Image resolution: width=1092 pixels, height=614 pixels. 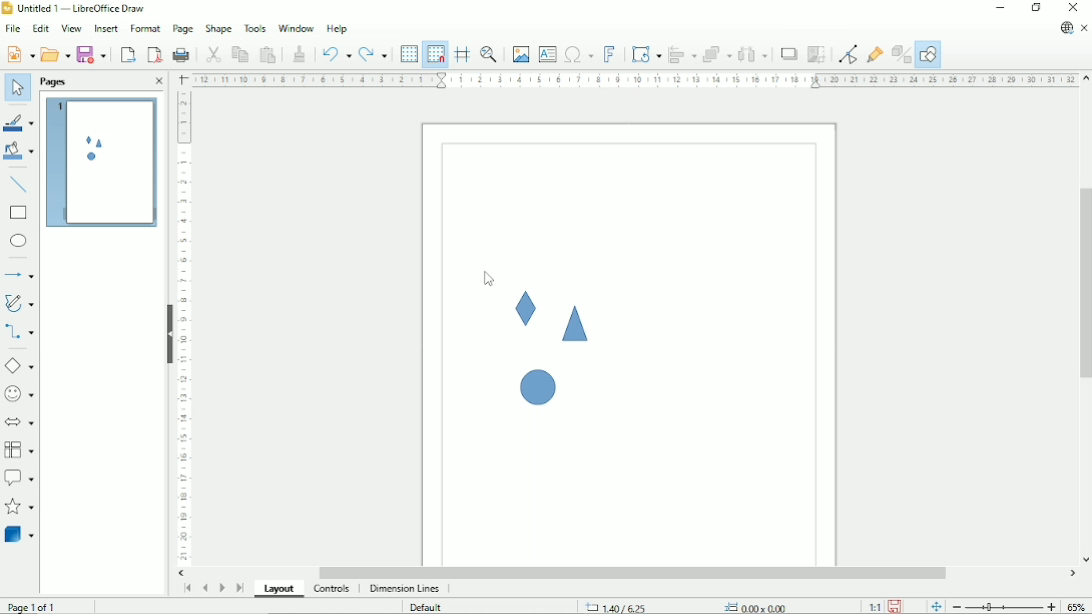 I want to click on Zoom out/in, so click(x=1003, y=607).